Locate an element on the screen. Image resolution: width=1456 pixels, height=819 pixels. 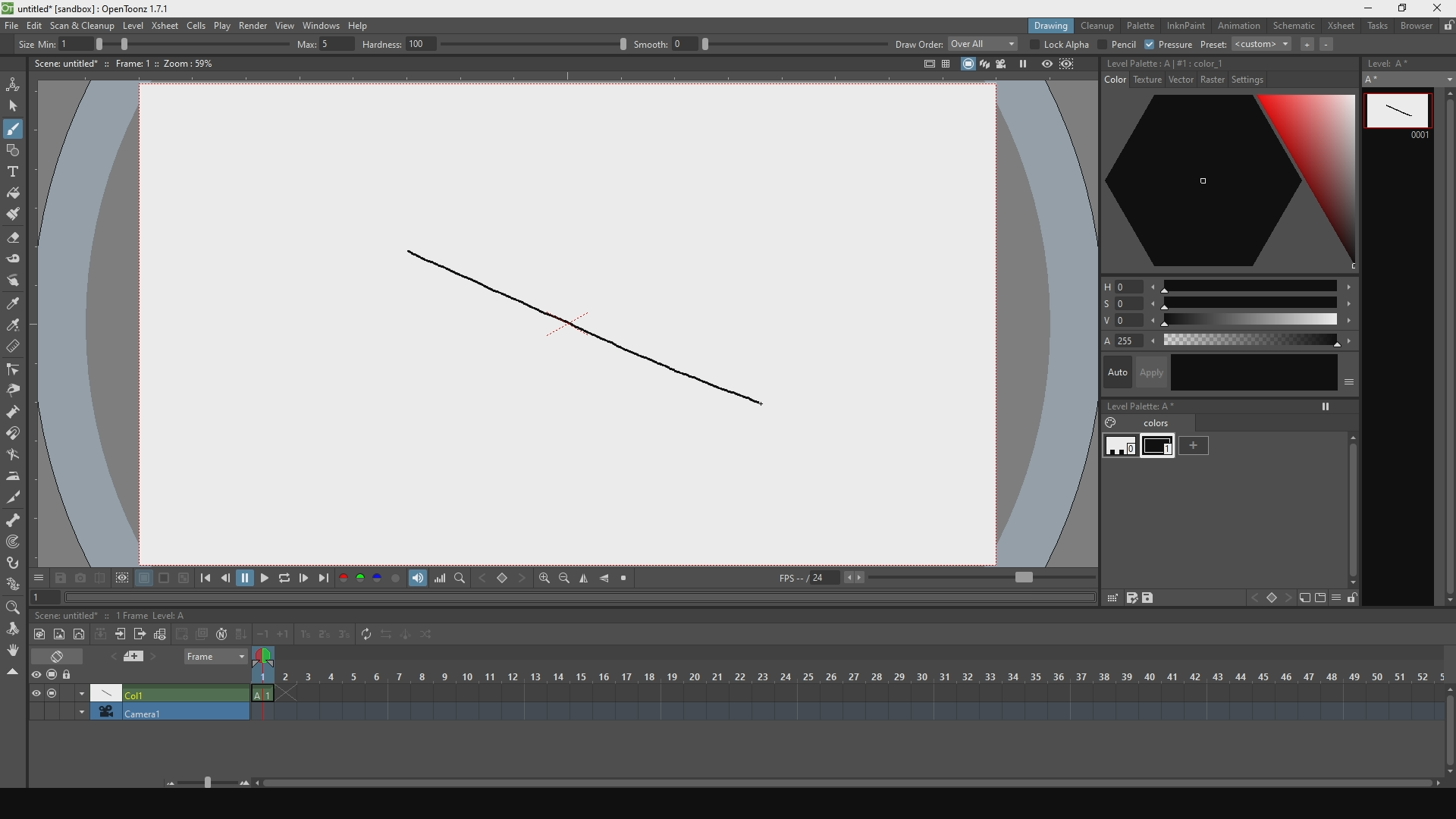
iron is located at coordinates (14, 476).